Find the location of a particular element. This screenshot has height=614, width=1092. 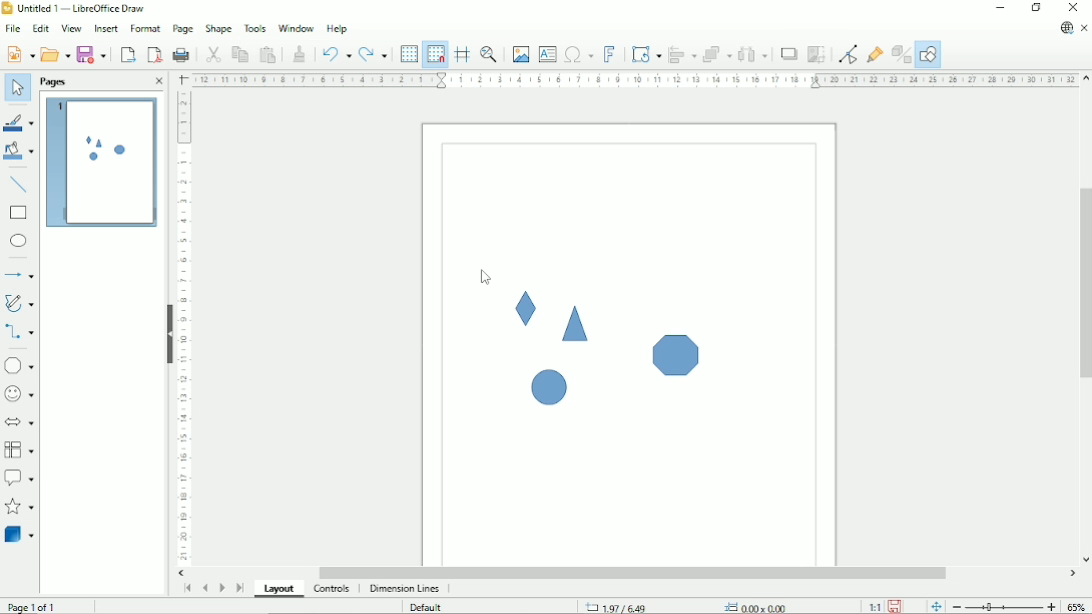

insert fontwork text is located at coordinates (610, 54).